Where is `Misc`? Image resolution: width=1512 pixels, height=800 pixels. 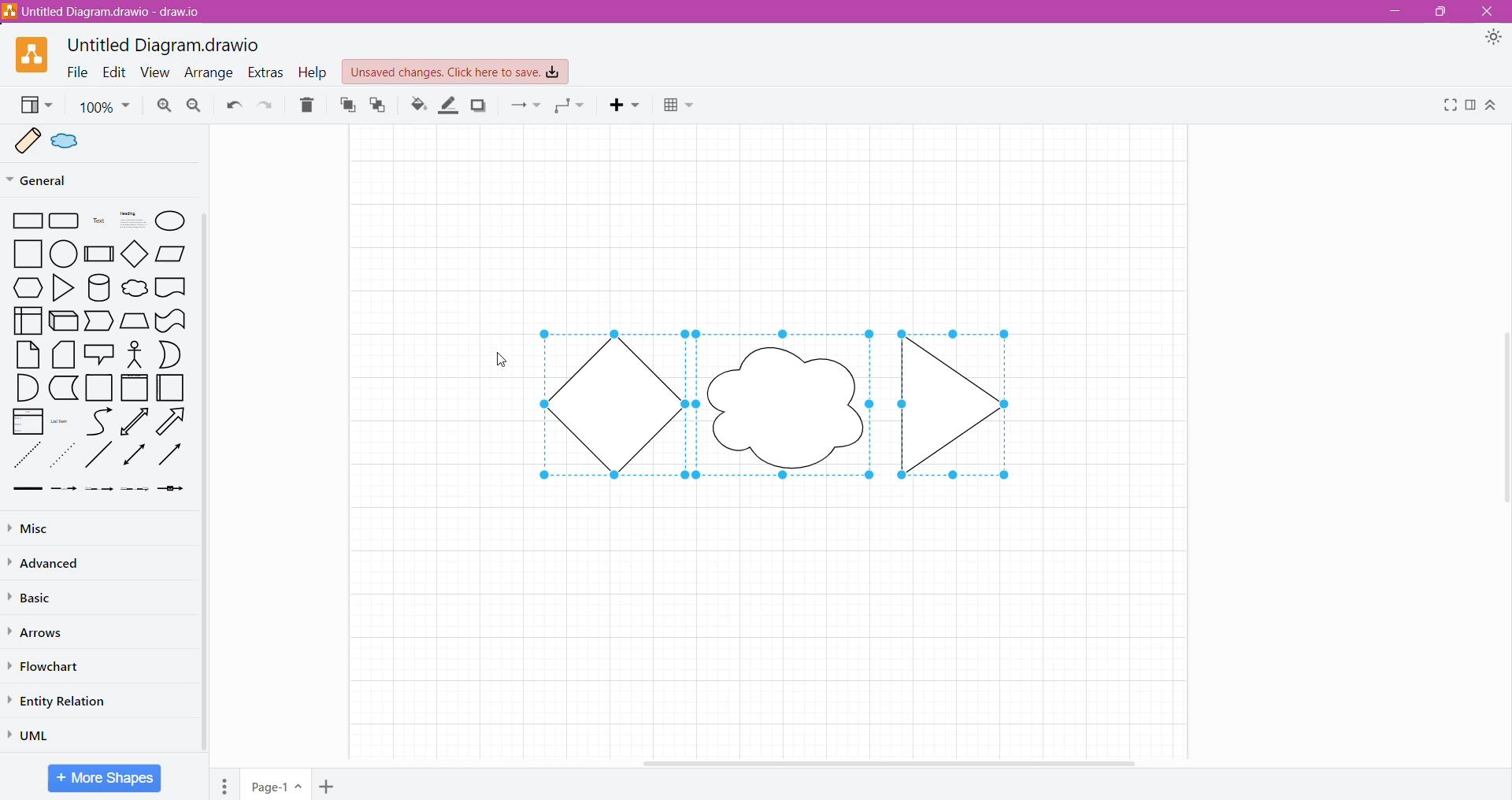 Misc is located at coordinates (41, 528).